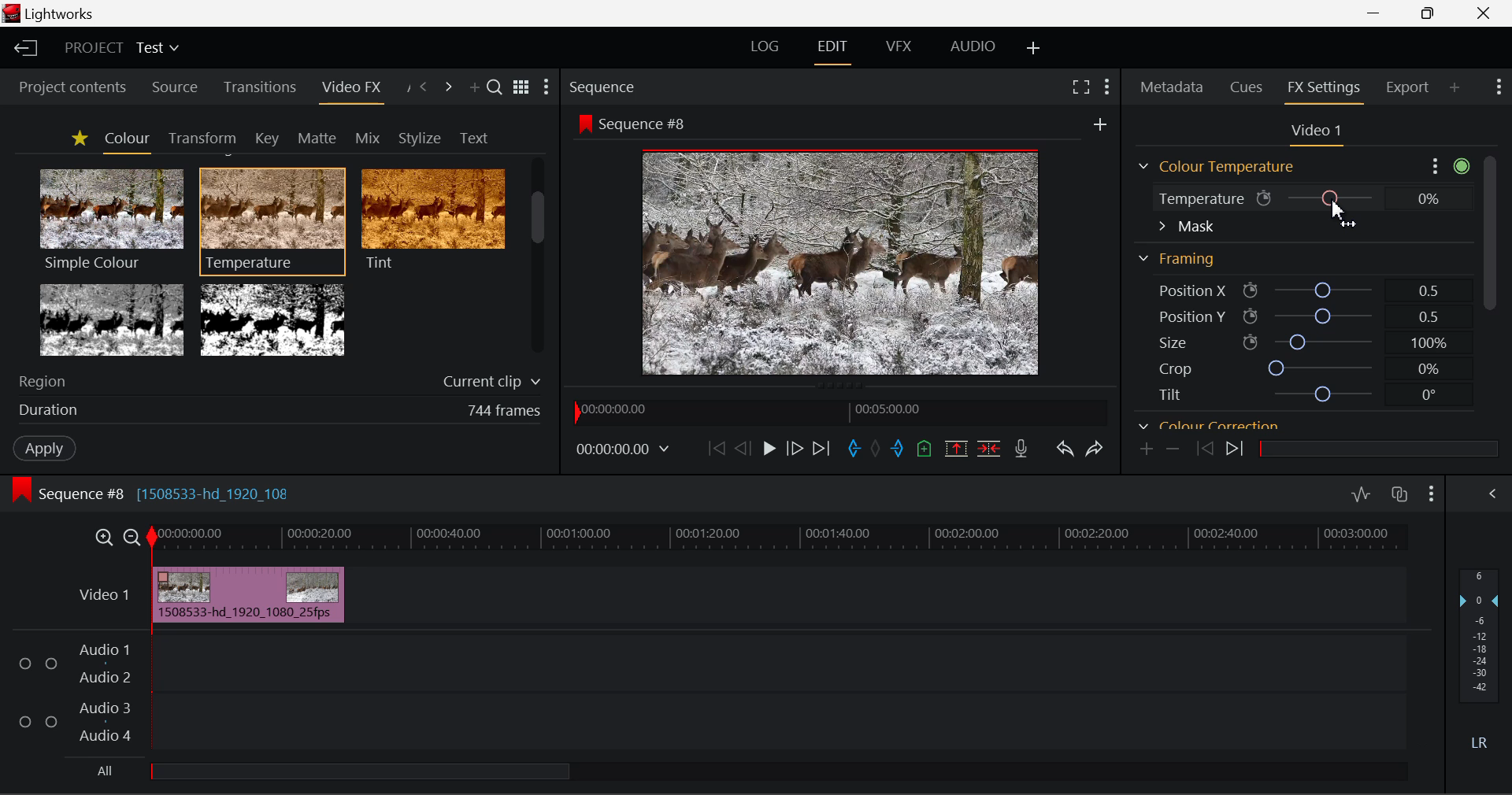 Image resolution: width=1512 pixels, height=795 pixels. What do you see at coordinates (258, 87) in the screenshot?
I see `Transitions` at bounding box center [258, 87].